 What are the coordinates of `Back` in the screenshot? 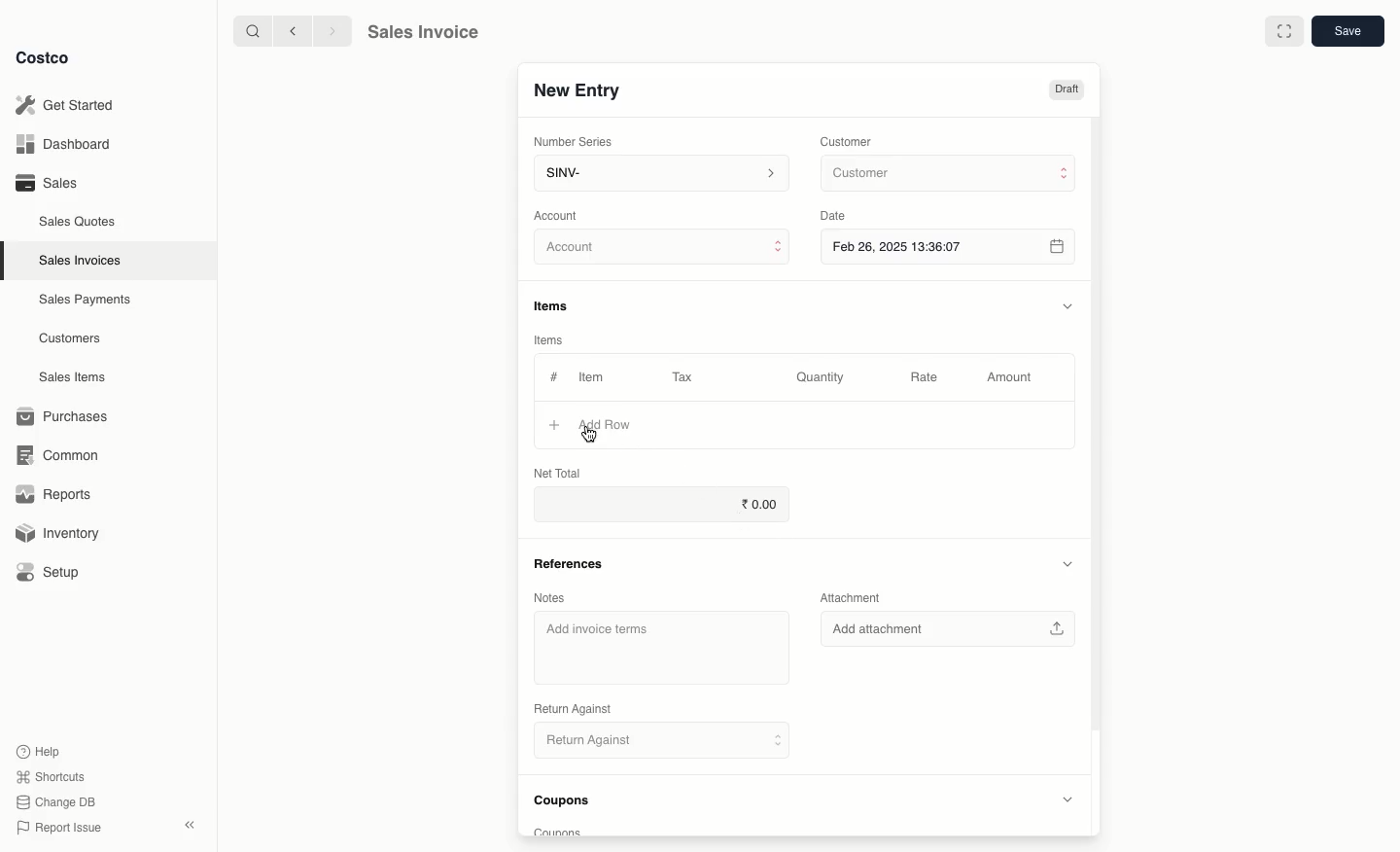 It's located at (291, 31).